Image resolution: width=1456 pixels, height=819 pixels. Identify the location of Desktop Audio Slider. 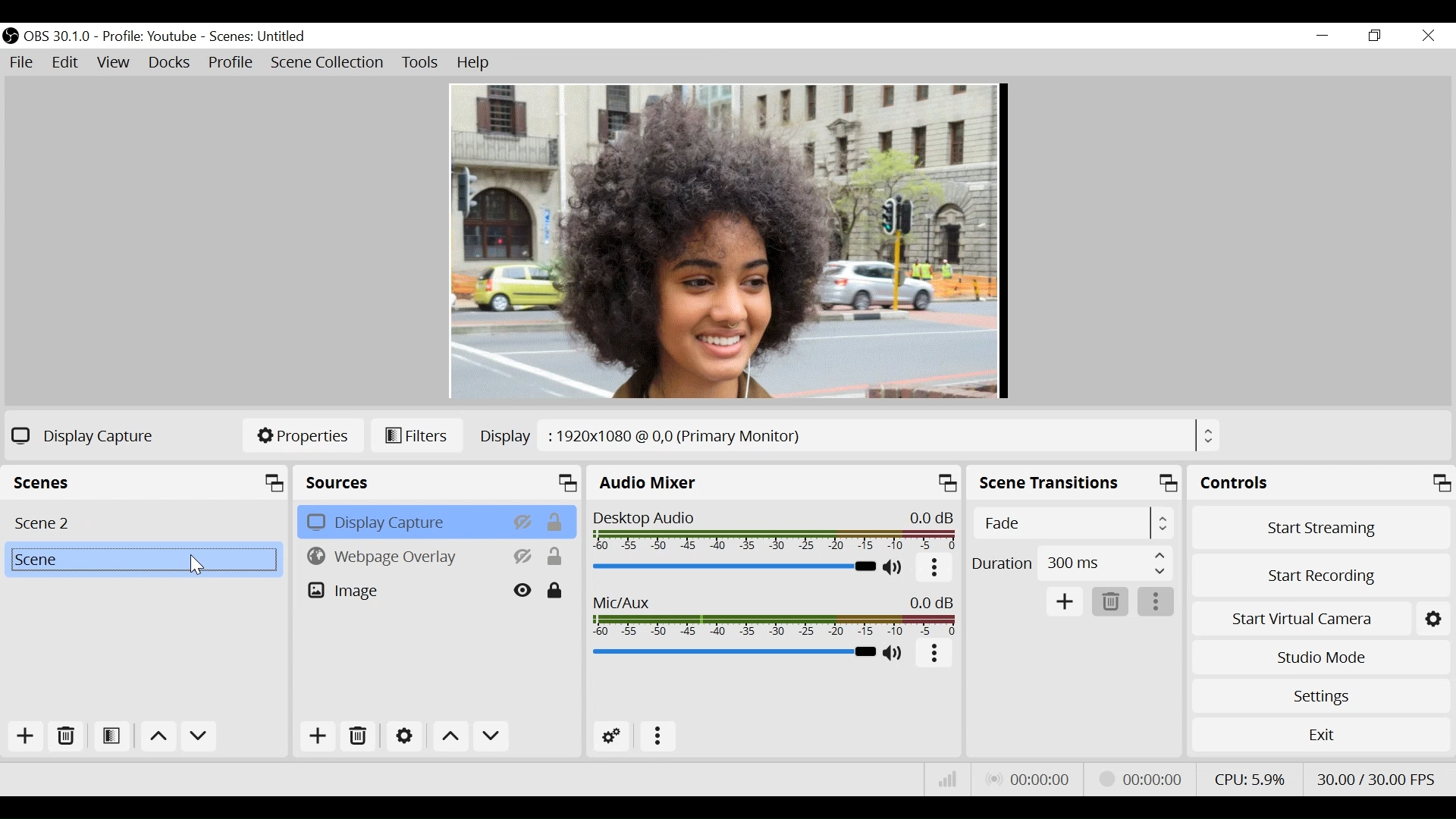
(735, 568).